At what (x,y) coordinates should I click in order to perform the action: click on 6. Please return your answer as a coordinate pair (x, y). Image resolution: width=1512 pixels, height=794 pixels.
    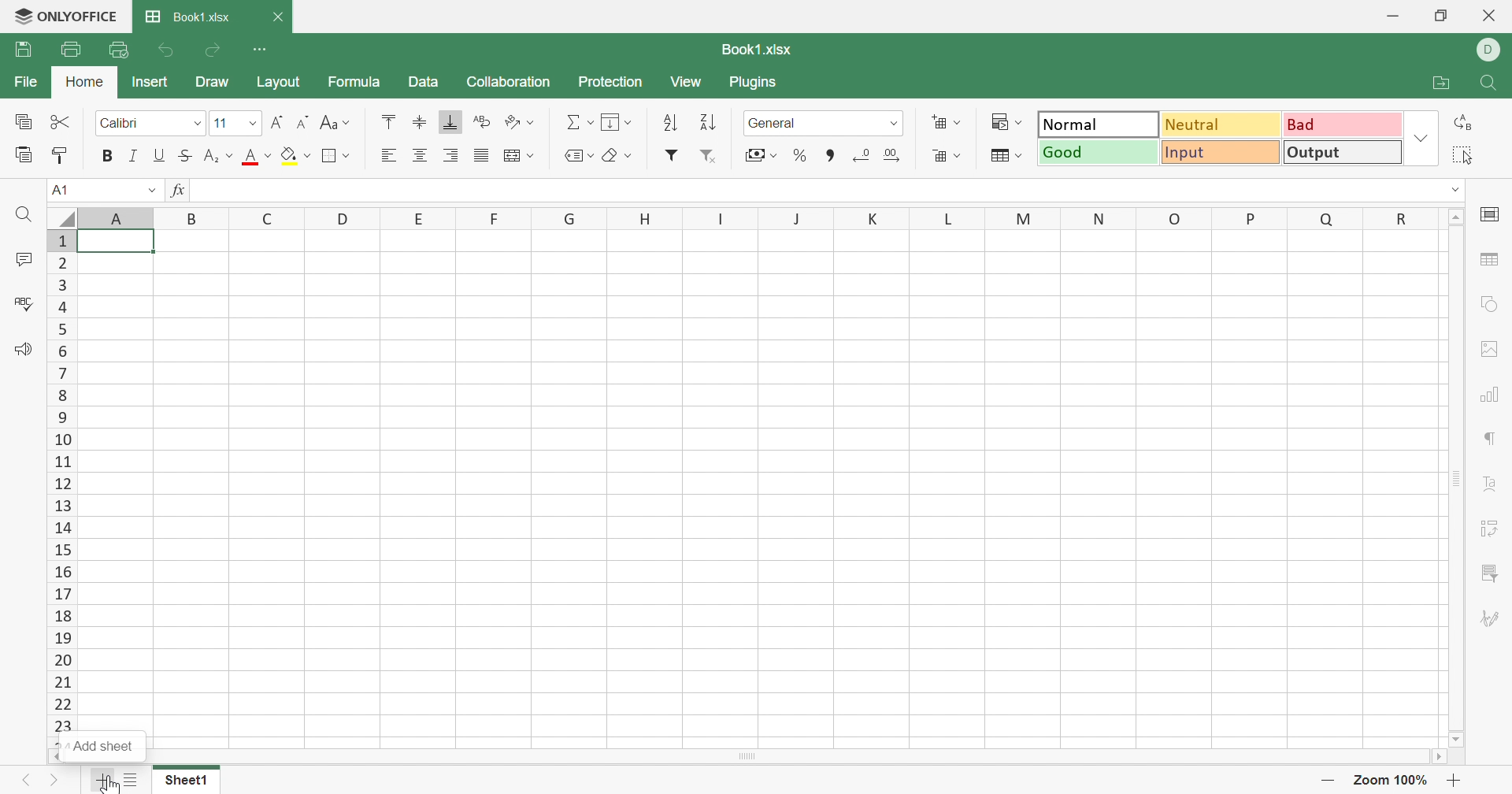
    Looking at the image, I should click on (62, 351).